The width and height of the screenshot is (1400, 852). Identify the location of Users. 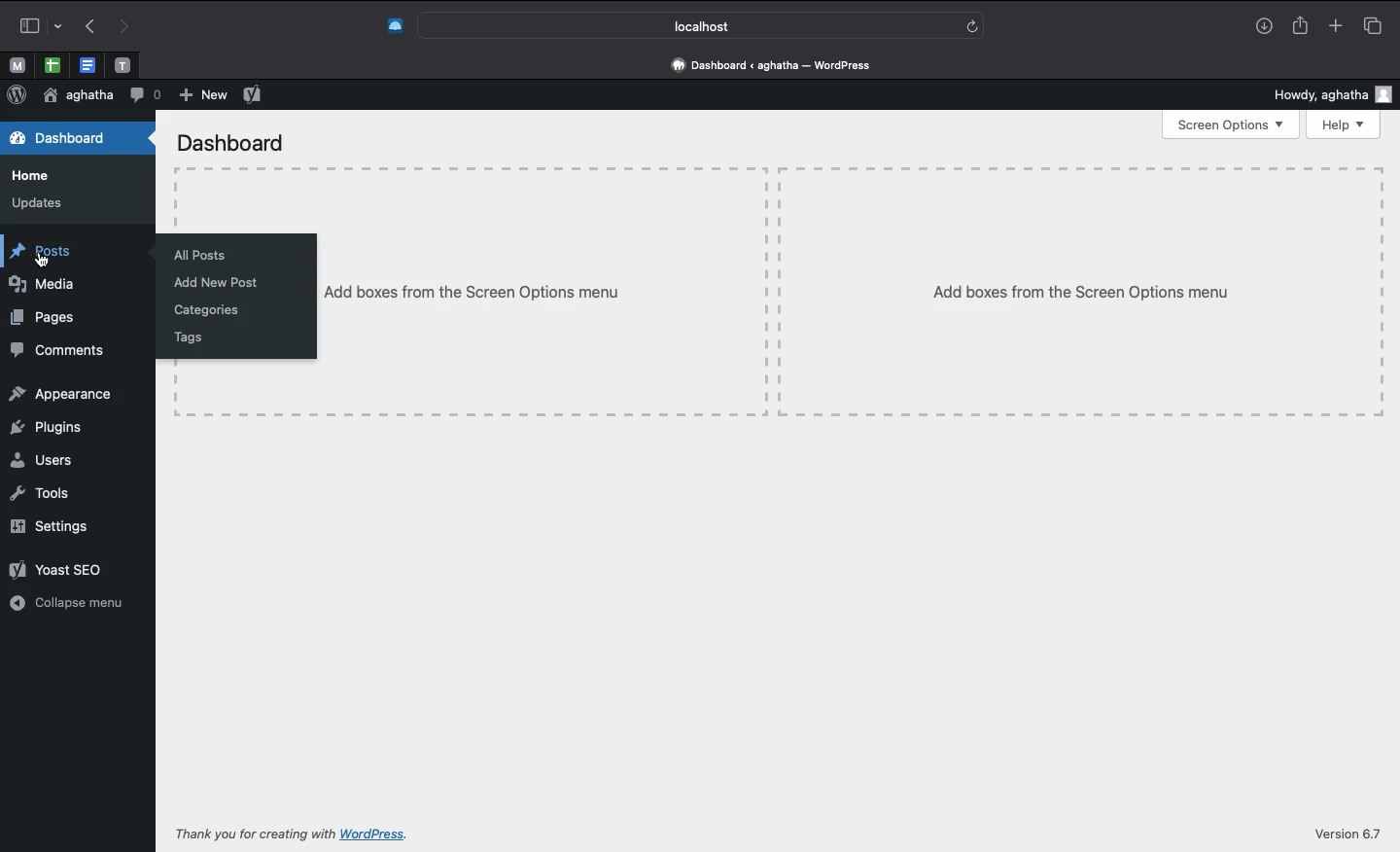
(38, 460).